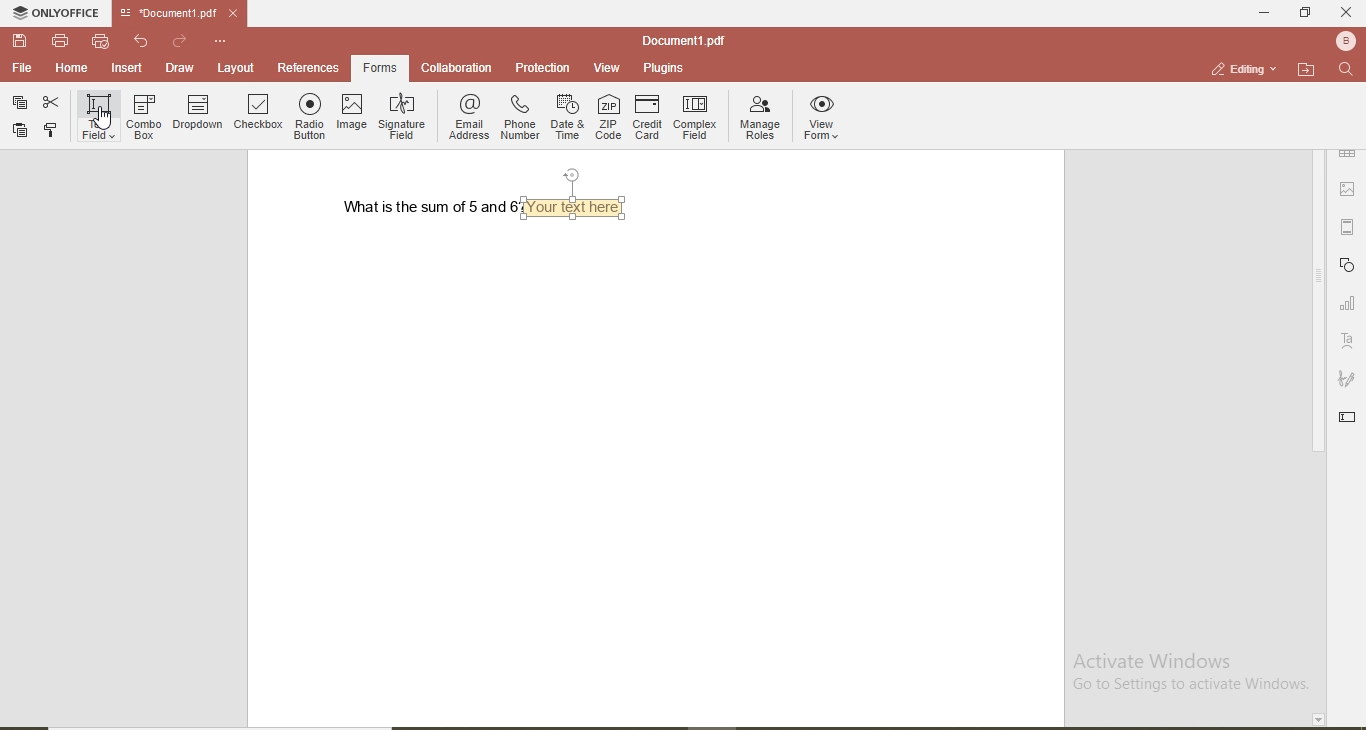  What do you see at coordinates (1347, 418) in the screenshot?
I see `edit text` at bounding box center [1347, 418].